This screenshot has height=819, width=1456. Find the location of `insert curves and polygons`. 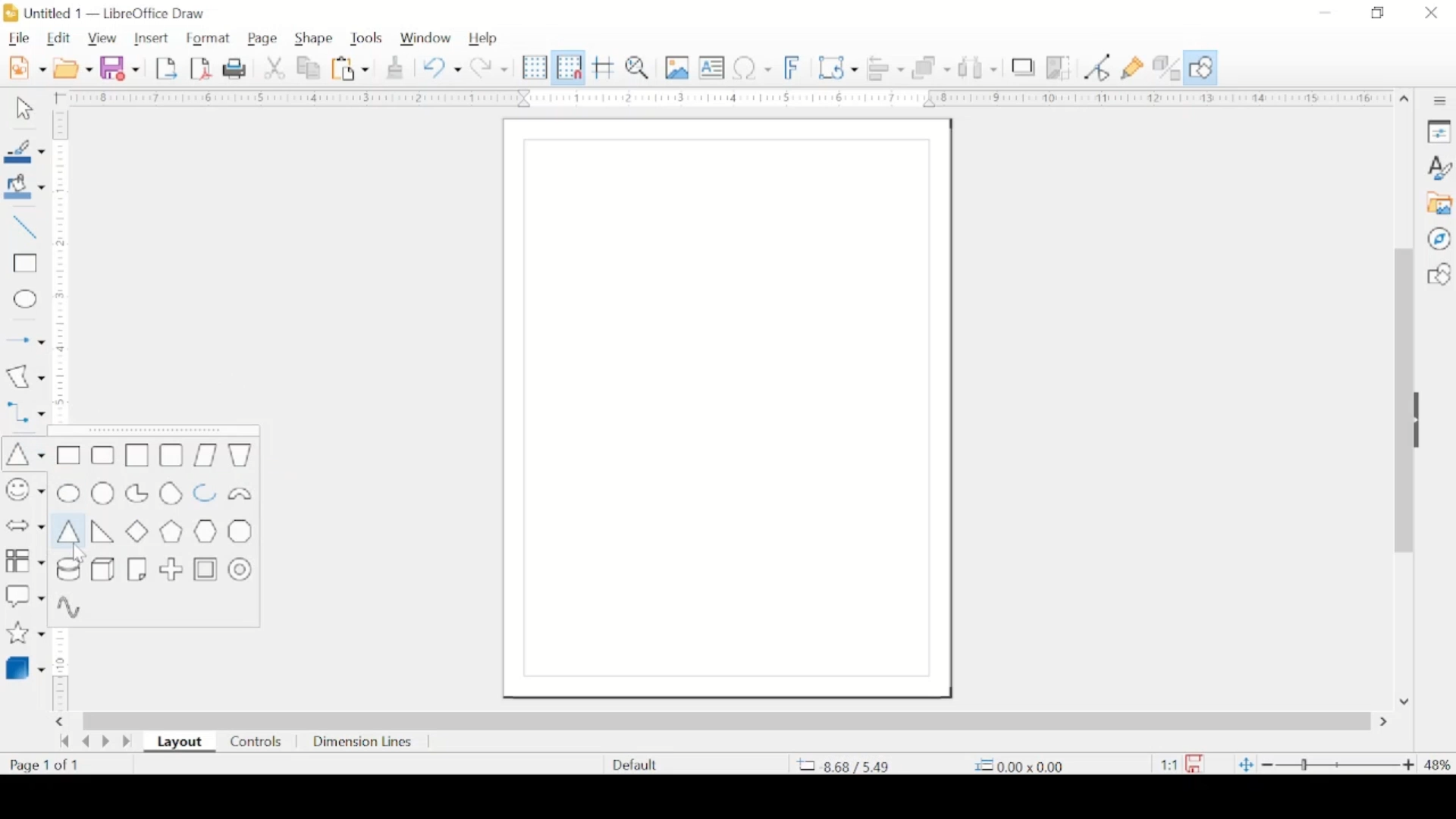

insert curves and polygons is located at coordinates (25, 376).